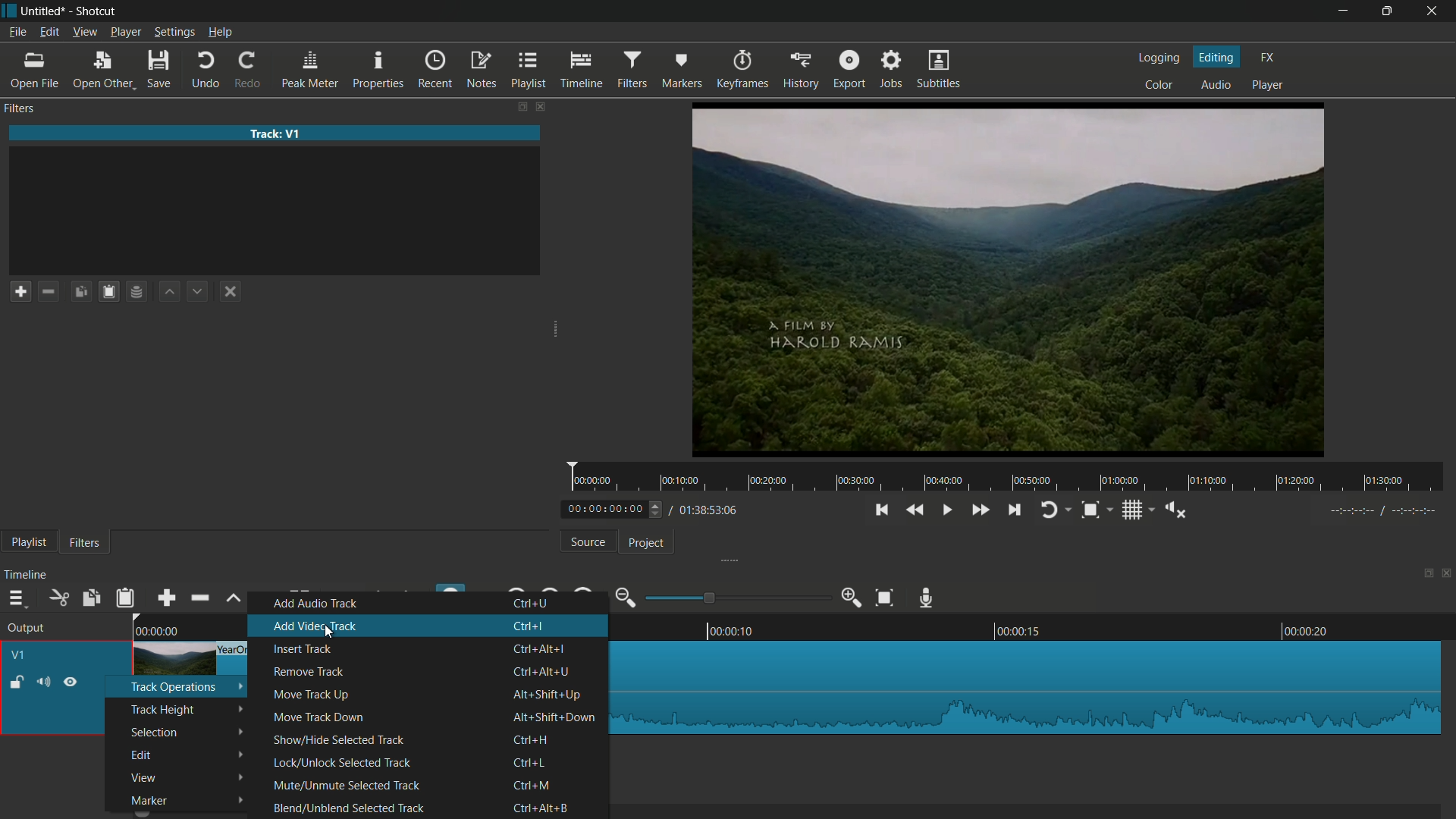  Describe the element at coordinates (436, 71) in the screenshot. I see `recent` at that location.